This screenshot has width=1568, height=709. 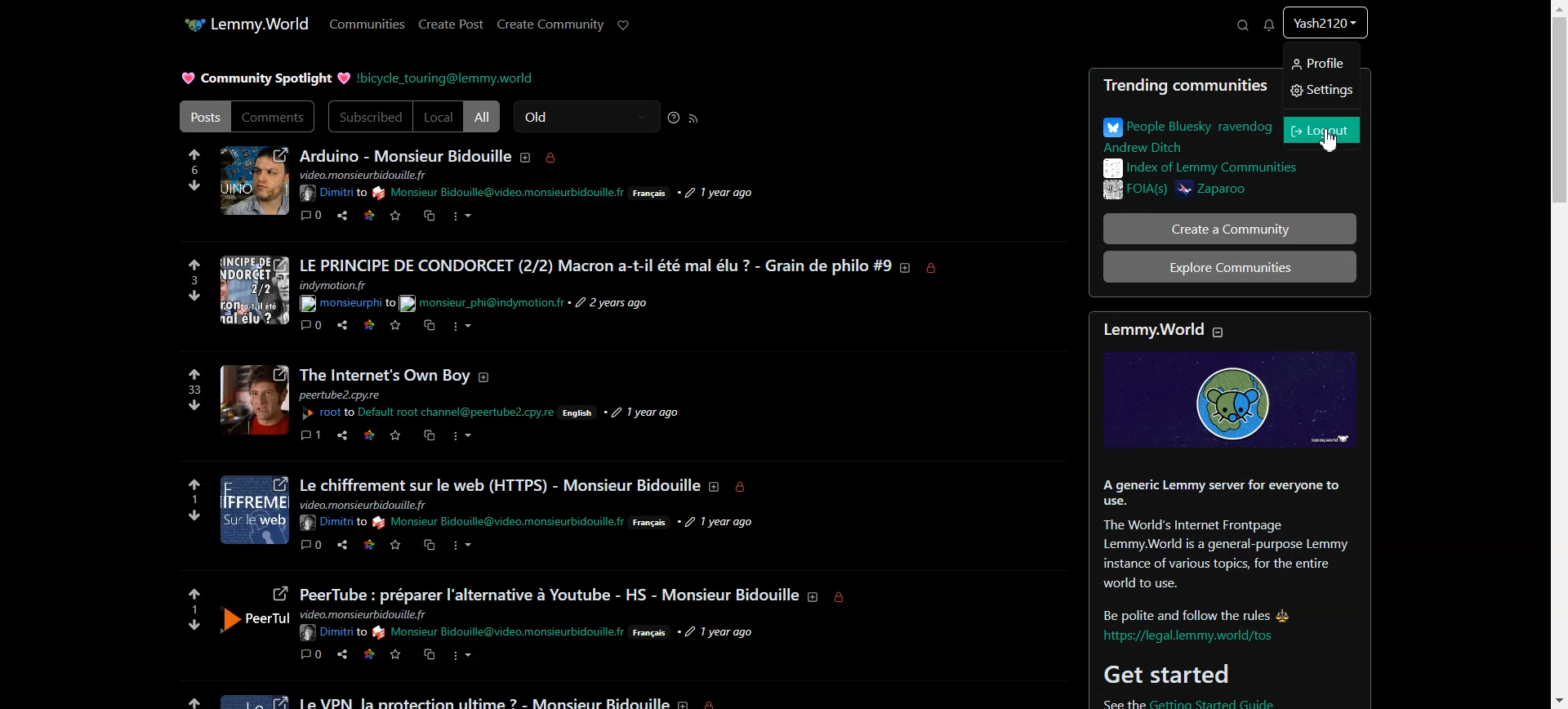 I want to click on Image, so click(x=1221, y=399).